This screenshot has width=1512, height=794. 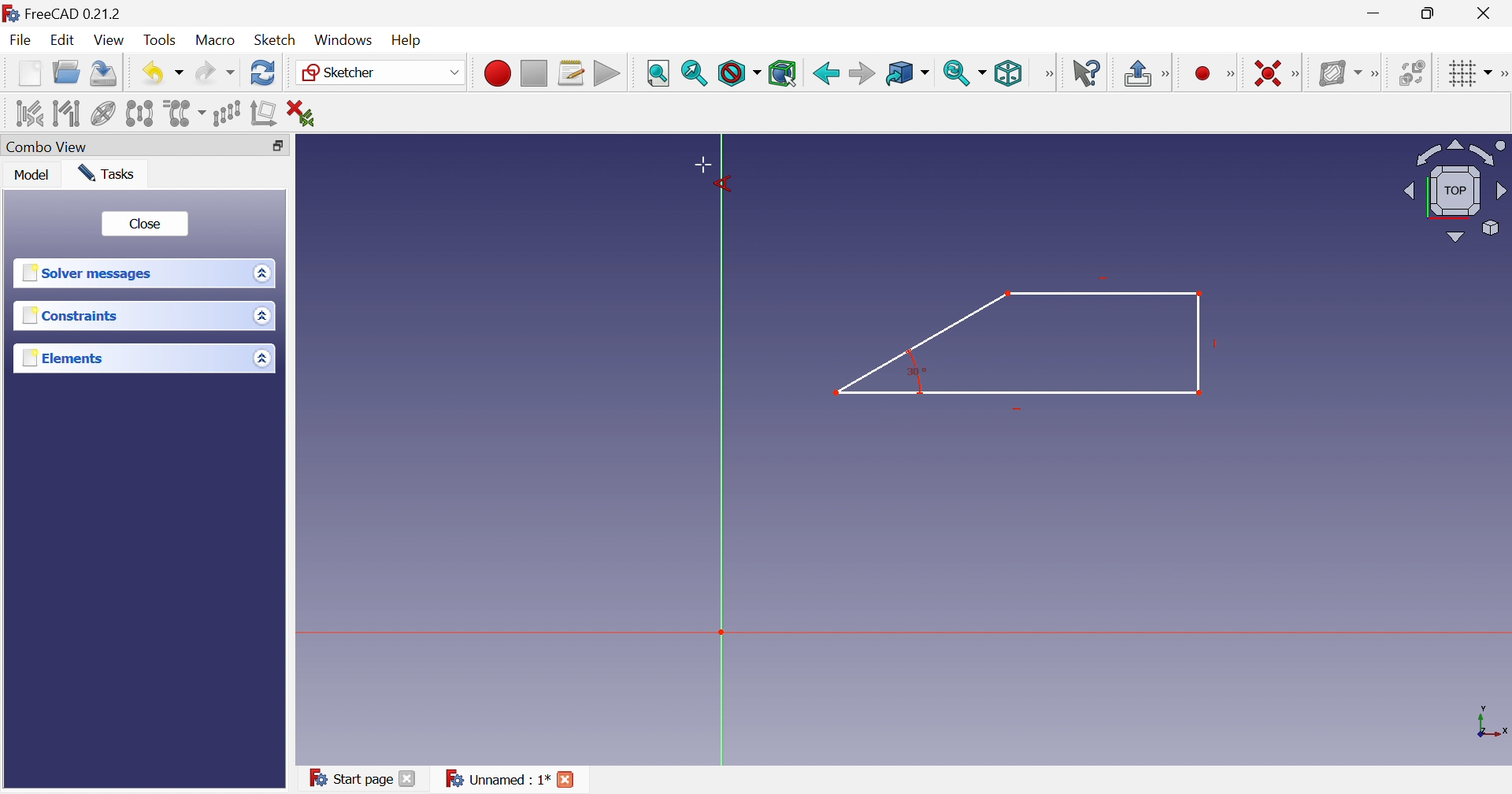 I want to click on More, so click(x=1503, y=72).